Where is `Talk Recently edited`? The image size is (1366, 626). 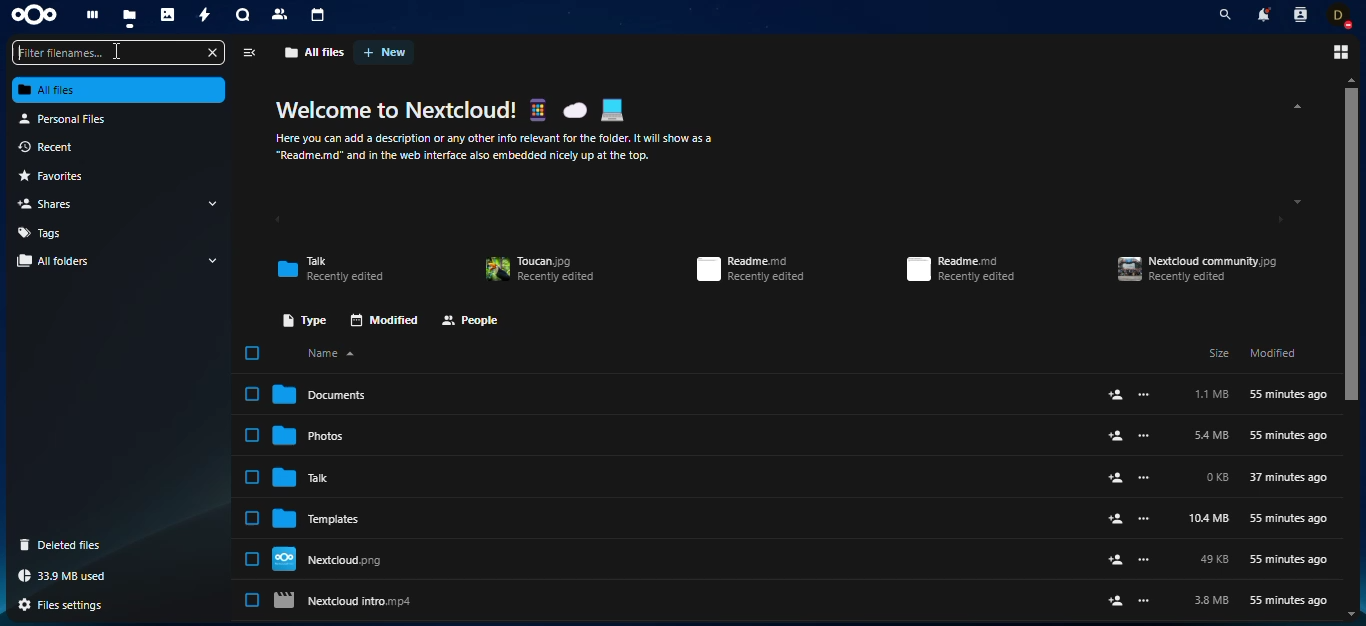 Talk Recently edited is located at coordinates (330, 269).